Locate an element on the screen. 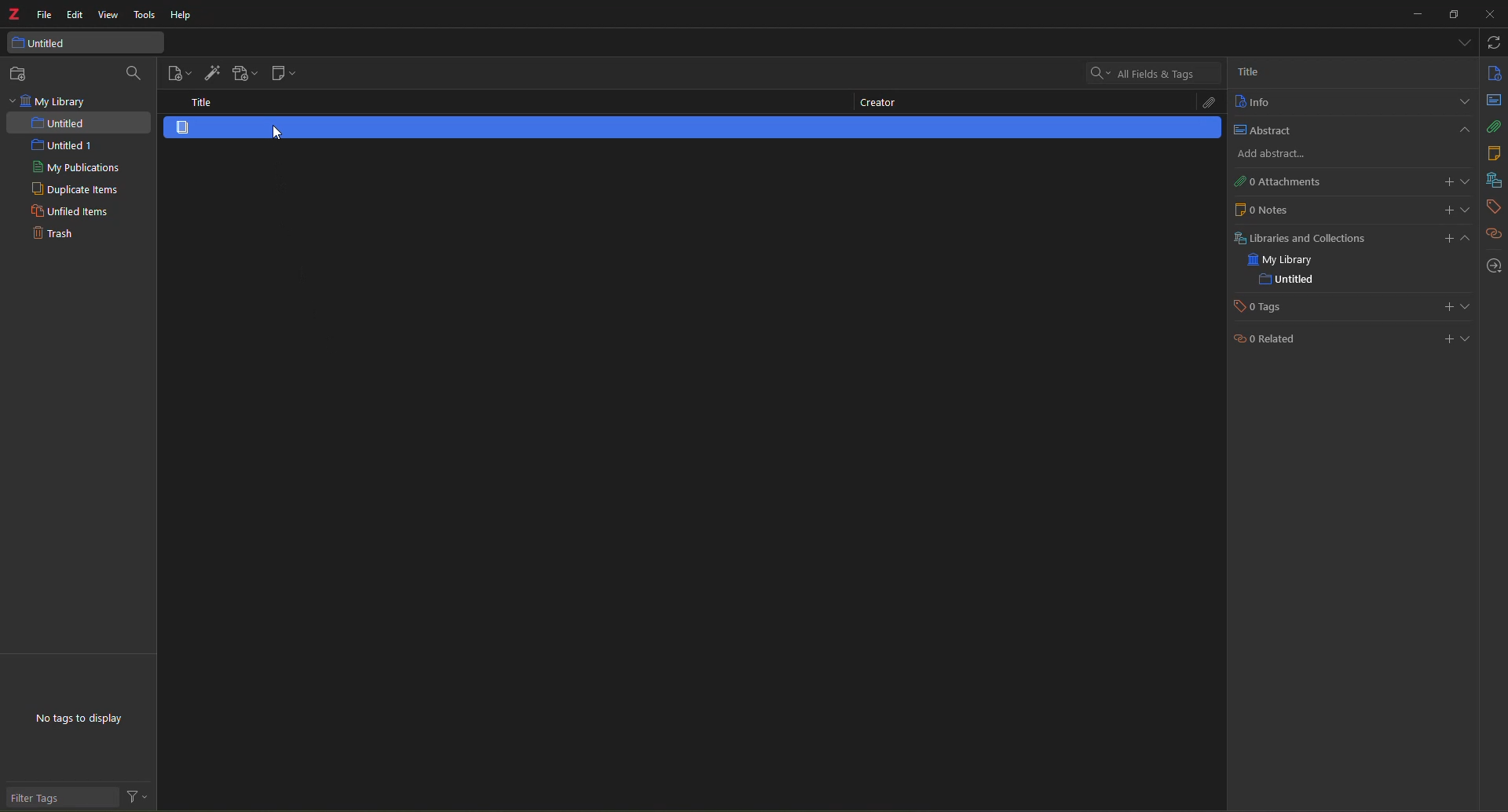 This screenshot has height=812, width=1508. expand is located at coordinates (1467, 181).